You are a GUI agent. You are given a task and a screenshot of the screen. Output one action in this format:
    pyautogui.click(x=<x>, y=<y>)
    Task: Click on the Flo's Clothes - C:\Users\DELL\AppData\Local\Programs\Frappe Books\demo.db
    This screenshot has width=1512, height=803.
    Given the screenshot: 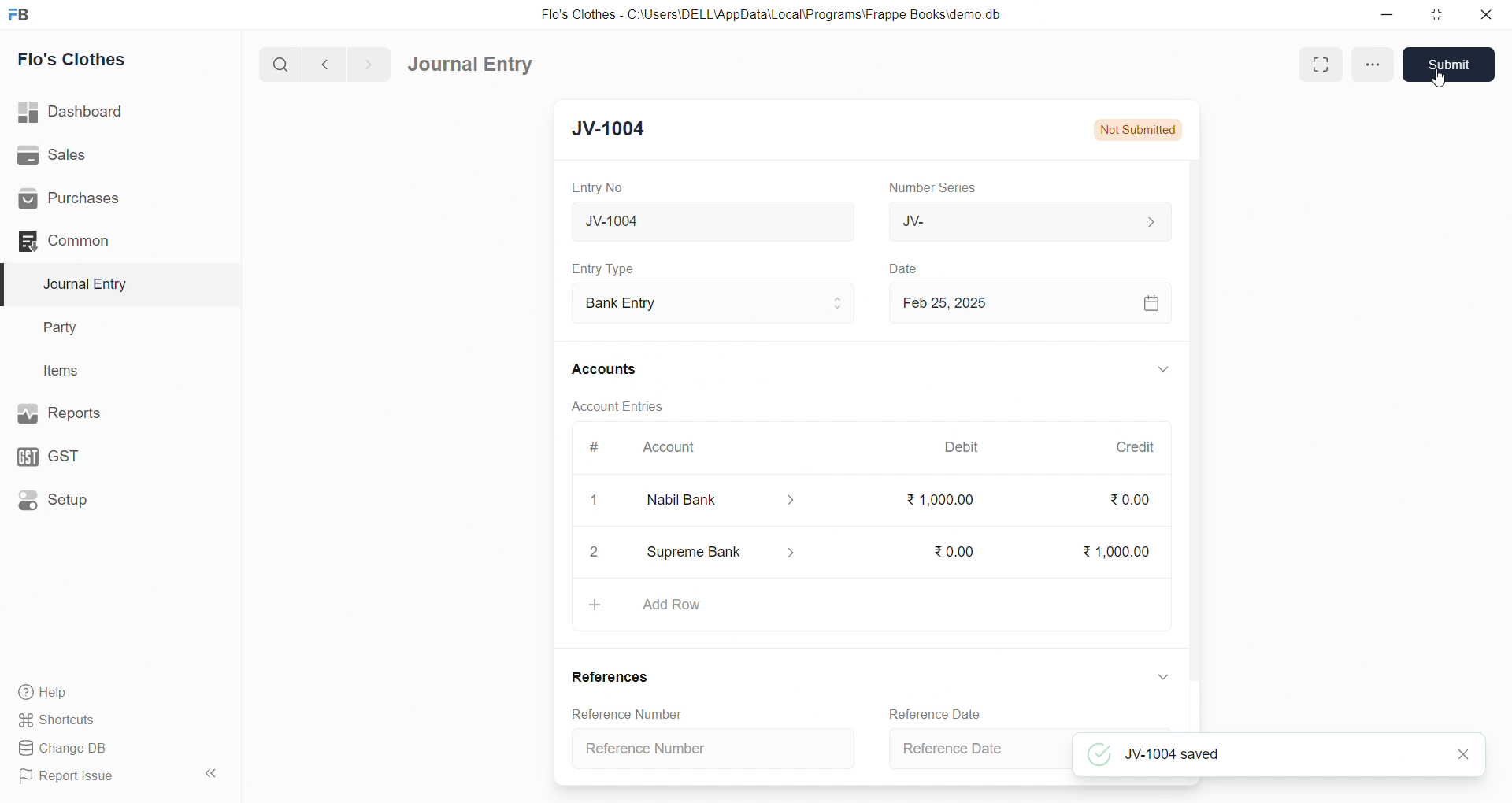 What is the action you would take?
    pyautogui.click(x=783, y=16)
    